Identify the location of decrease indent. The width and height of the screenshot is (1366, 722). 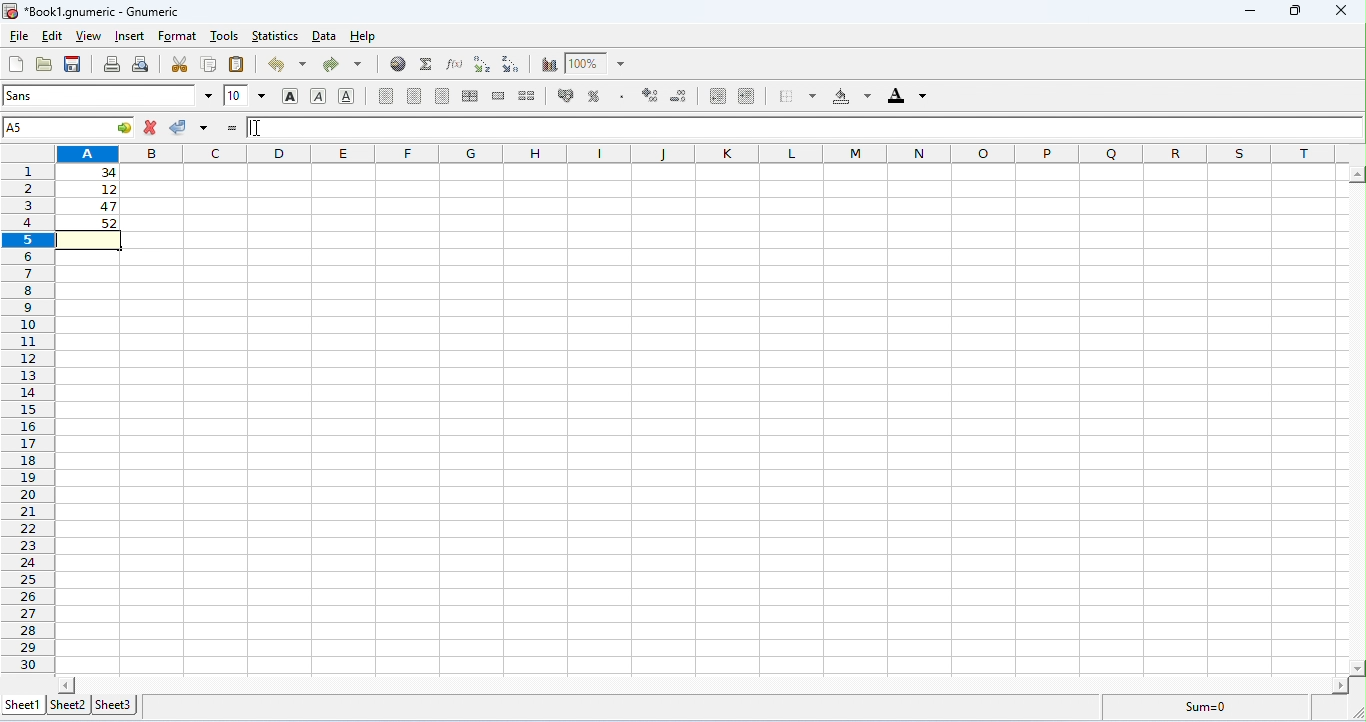
(747, 95).